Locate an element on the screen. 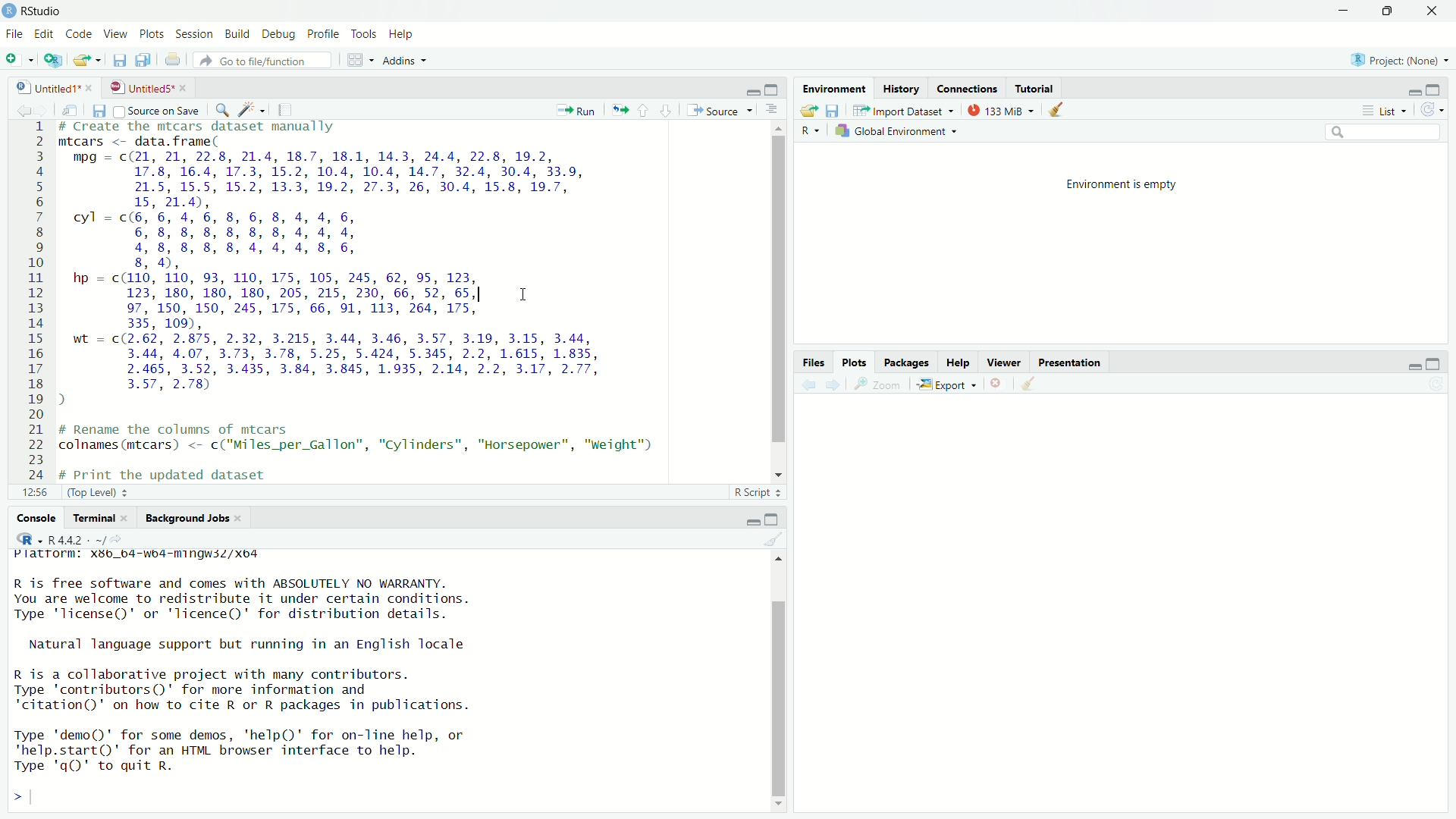 This screenshot has height=819, width=1456. move is located at coordinates (619, 109).